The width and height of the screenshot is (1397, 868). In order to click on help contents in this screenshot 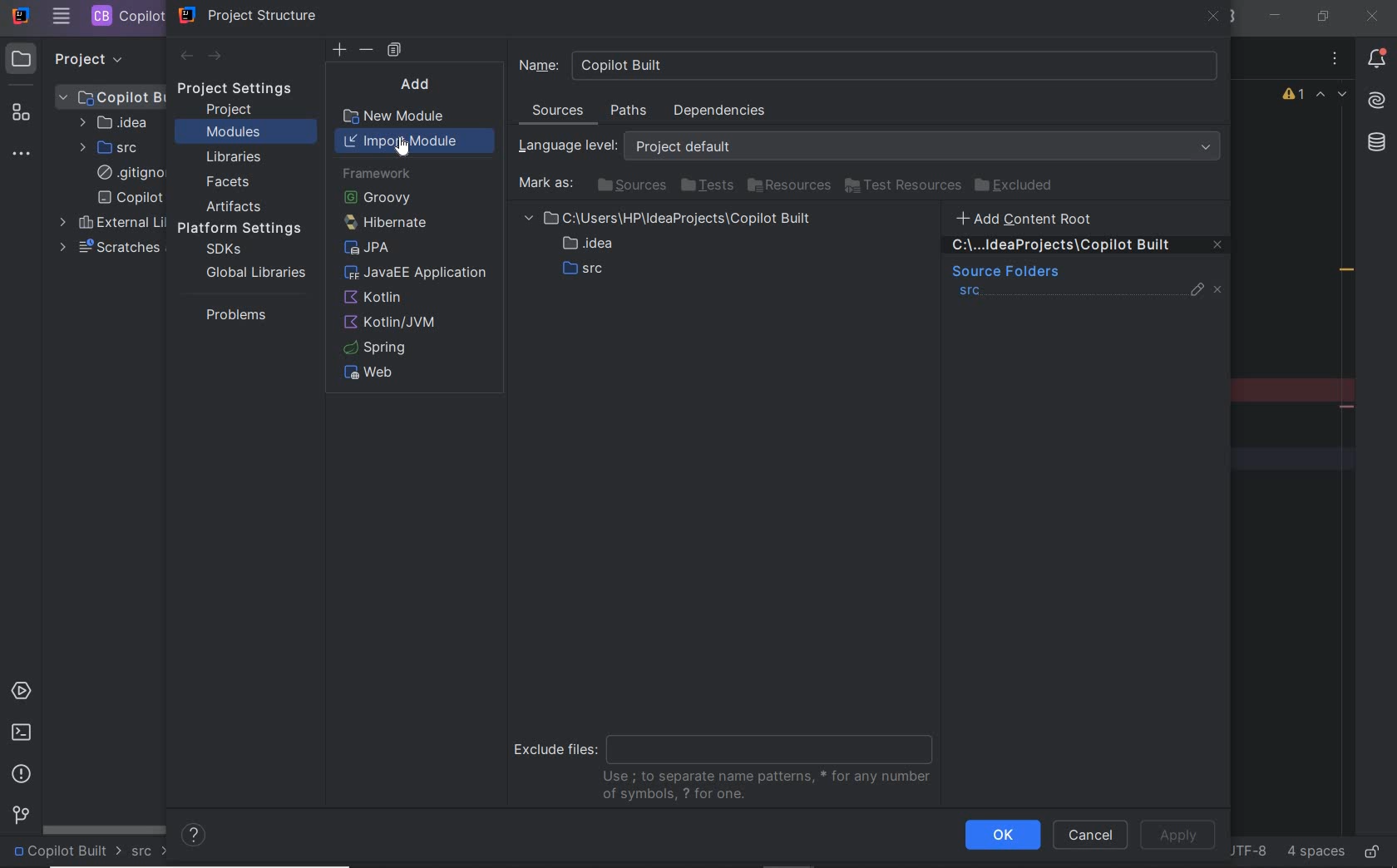, I will do `click(195, 836)`.